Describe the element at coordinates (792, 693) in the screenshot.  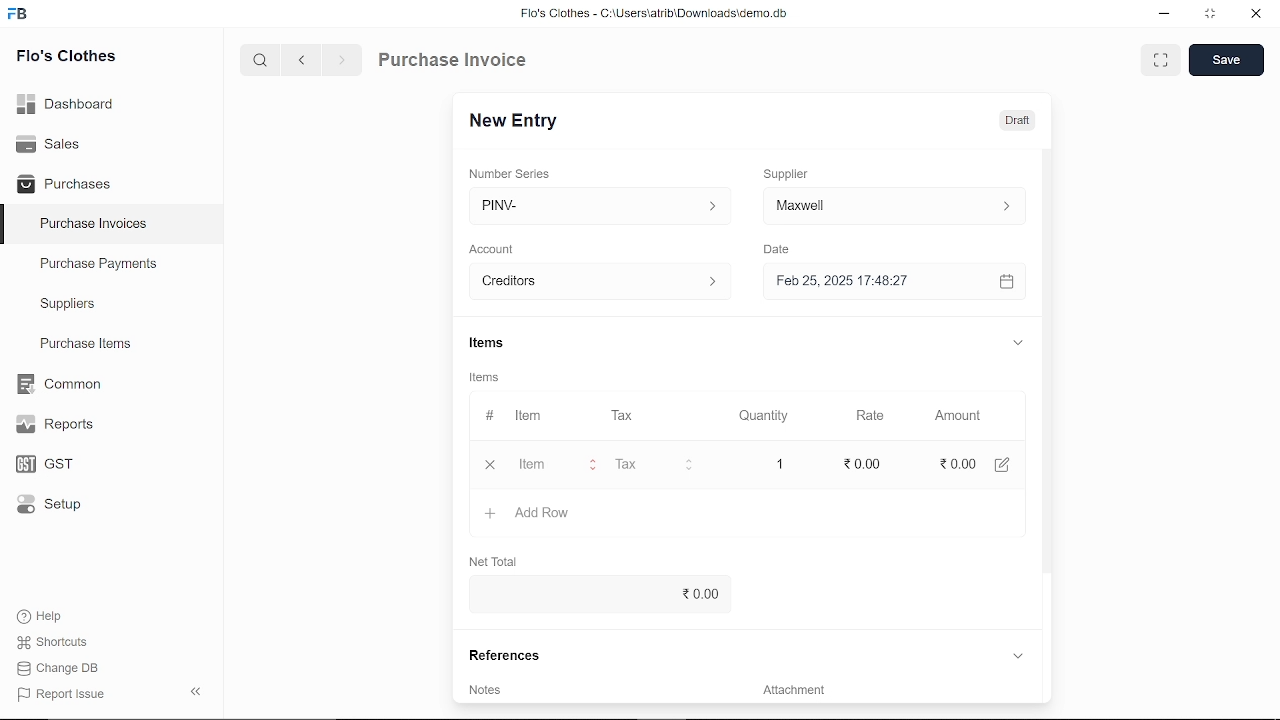
I see `‘Attachment` at that location.